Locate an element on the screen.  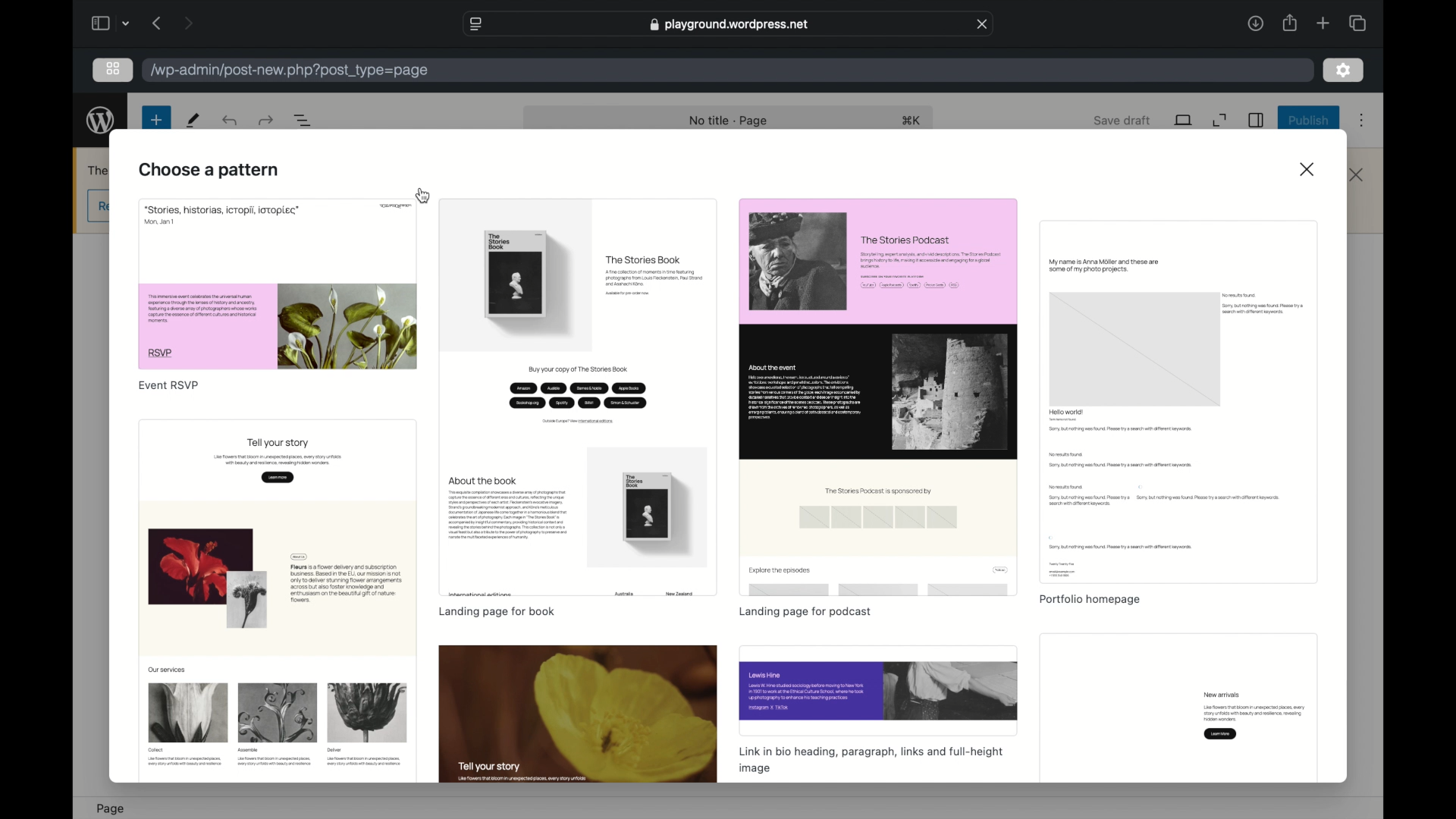
website settings is located at coordinates (475, 24).